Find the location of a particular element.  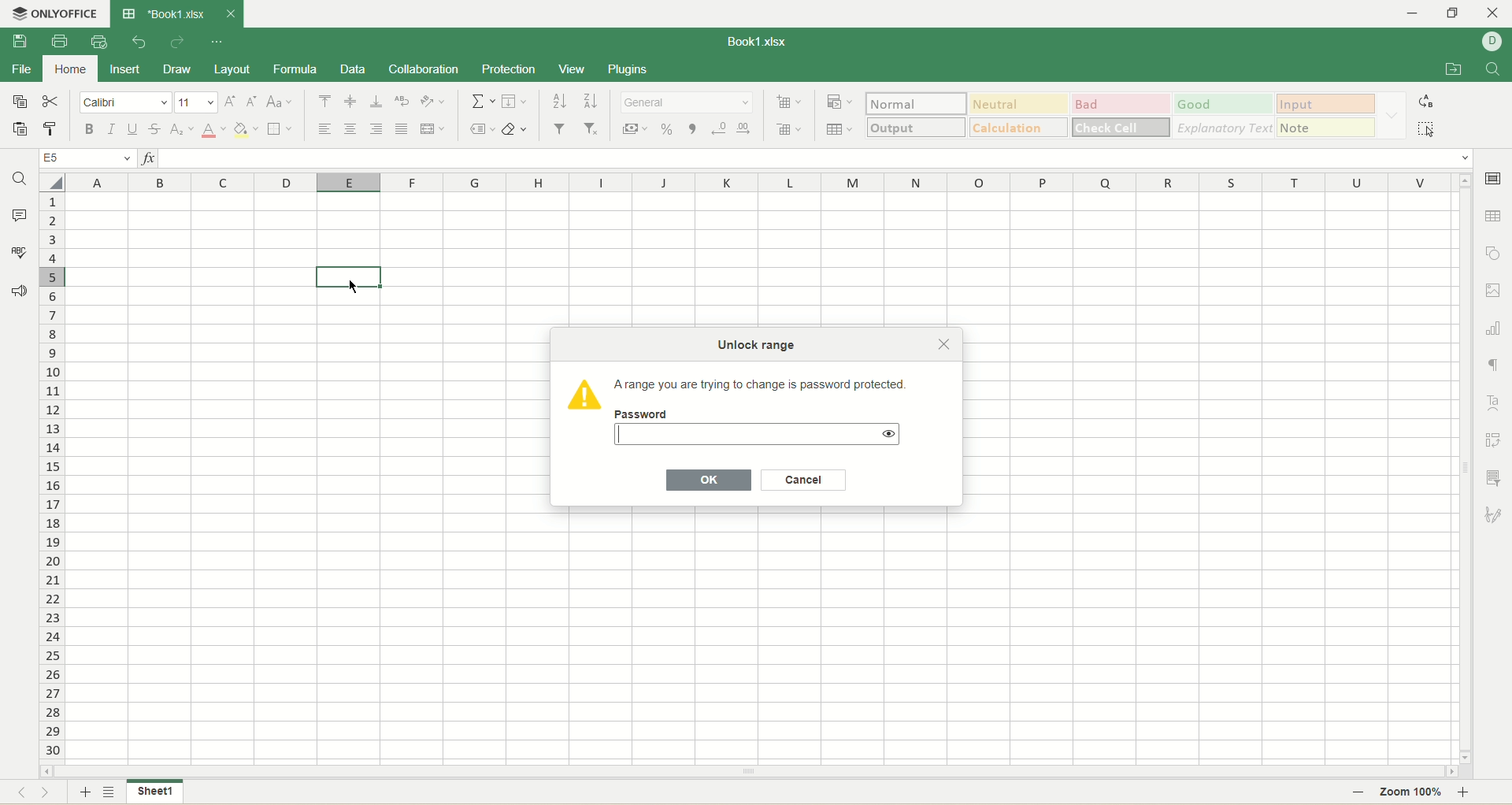

summation is located at coordinates (485, 101).